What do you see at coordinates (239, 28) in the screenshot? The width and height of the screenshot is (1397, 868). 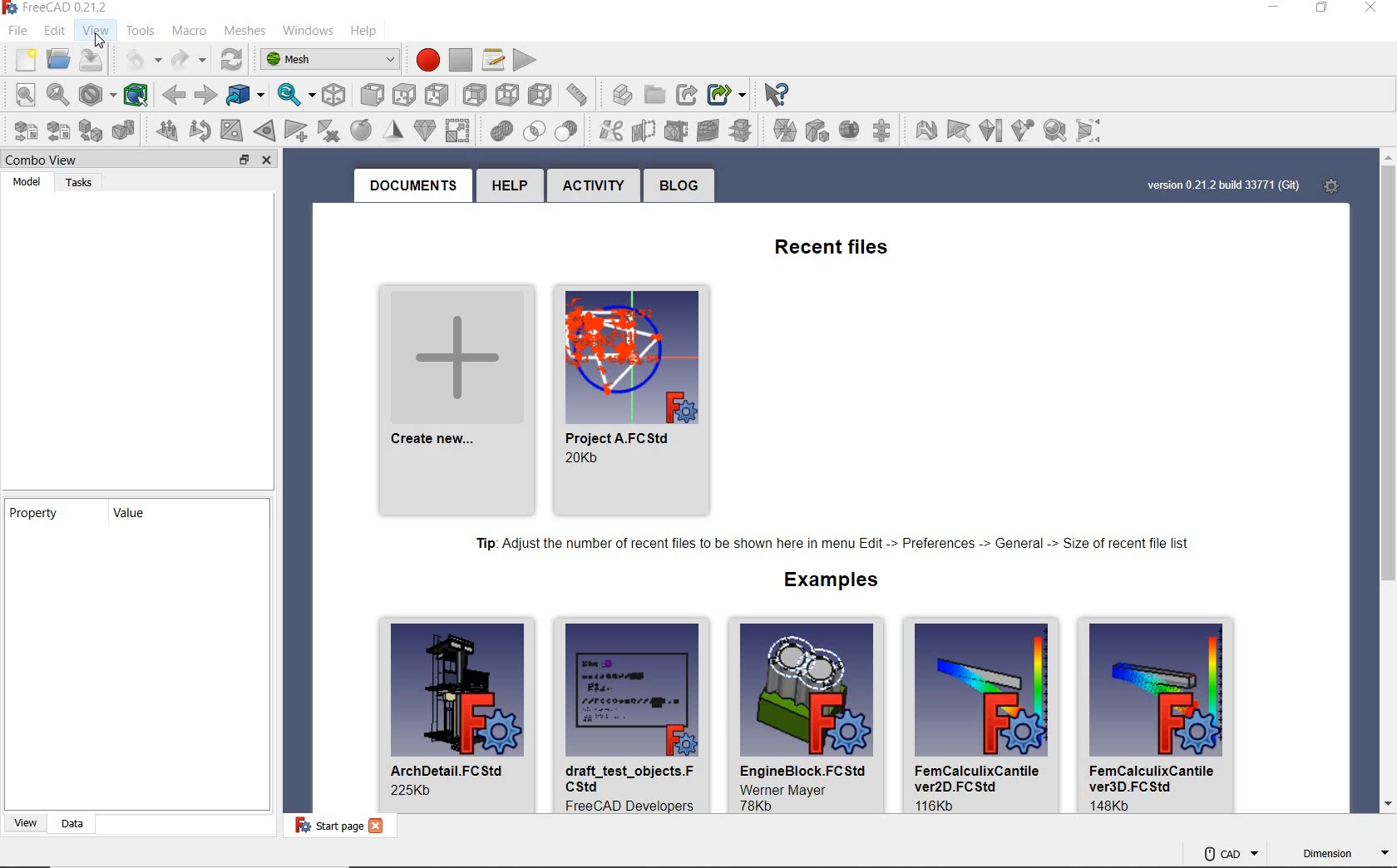 I see `meshes` at bounding box center [239, 28].